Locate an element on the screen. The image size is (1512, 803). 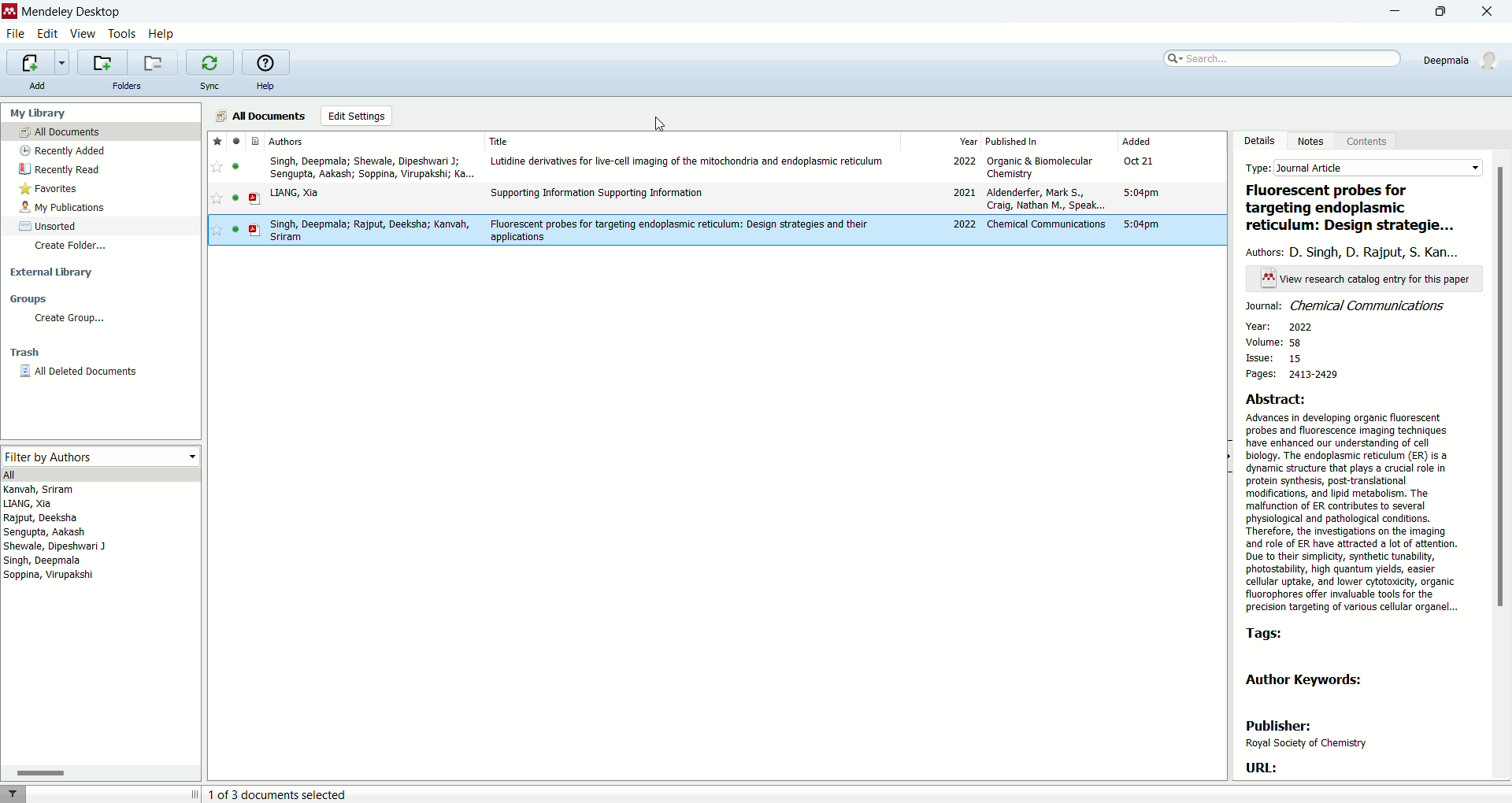
edit is located at coordinates (49, 34).